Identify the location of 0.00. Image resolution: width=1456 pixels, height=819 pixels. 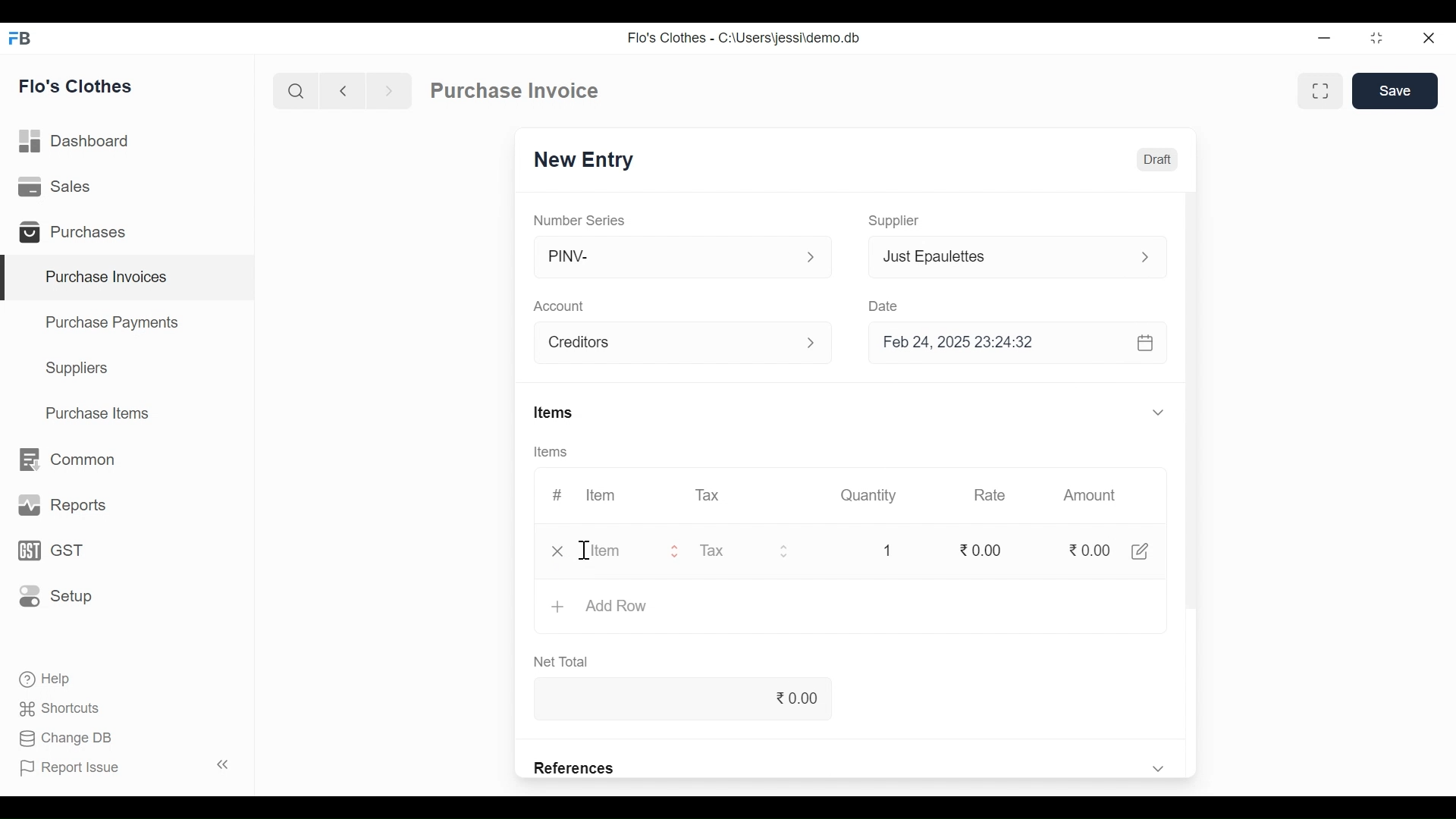
(1085, 551).